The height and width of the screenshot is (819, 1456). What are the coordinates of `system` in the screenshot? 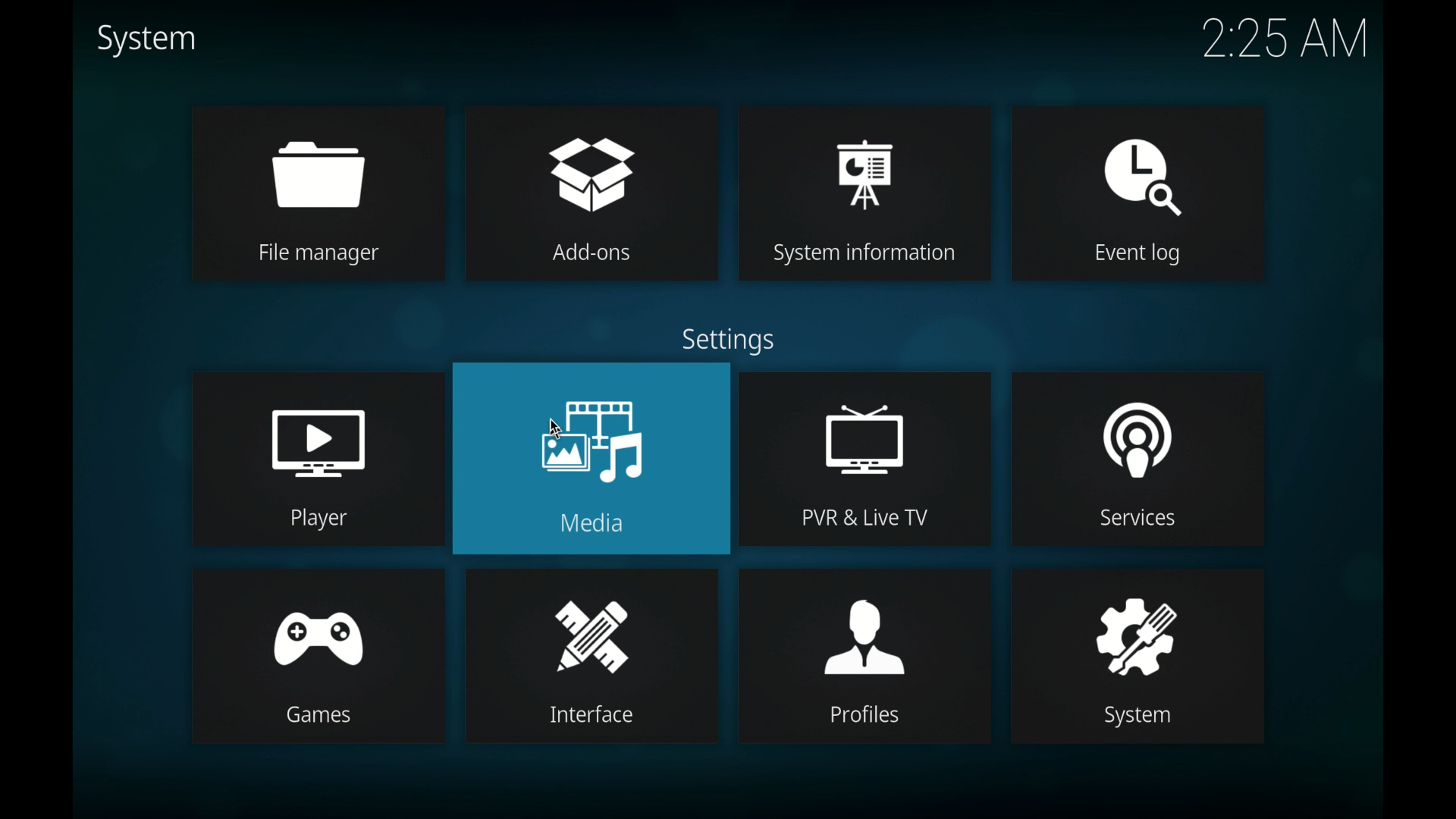 It's located at (1134, 623).